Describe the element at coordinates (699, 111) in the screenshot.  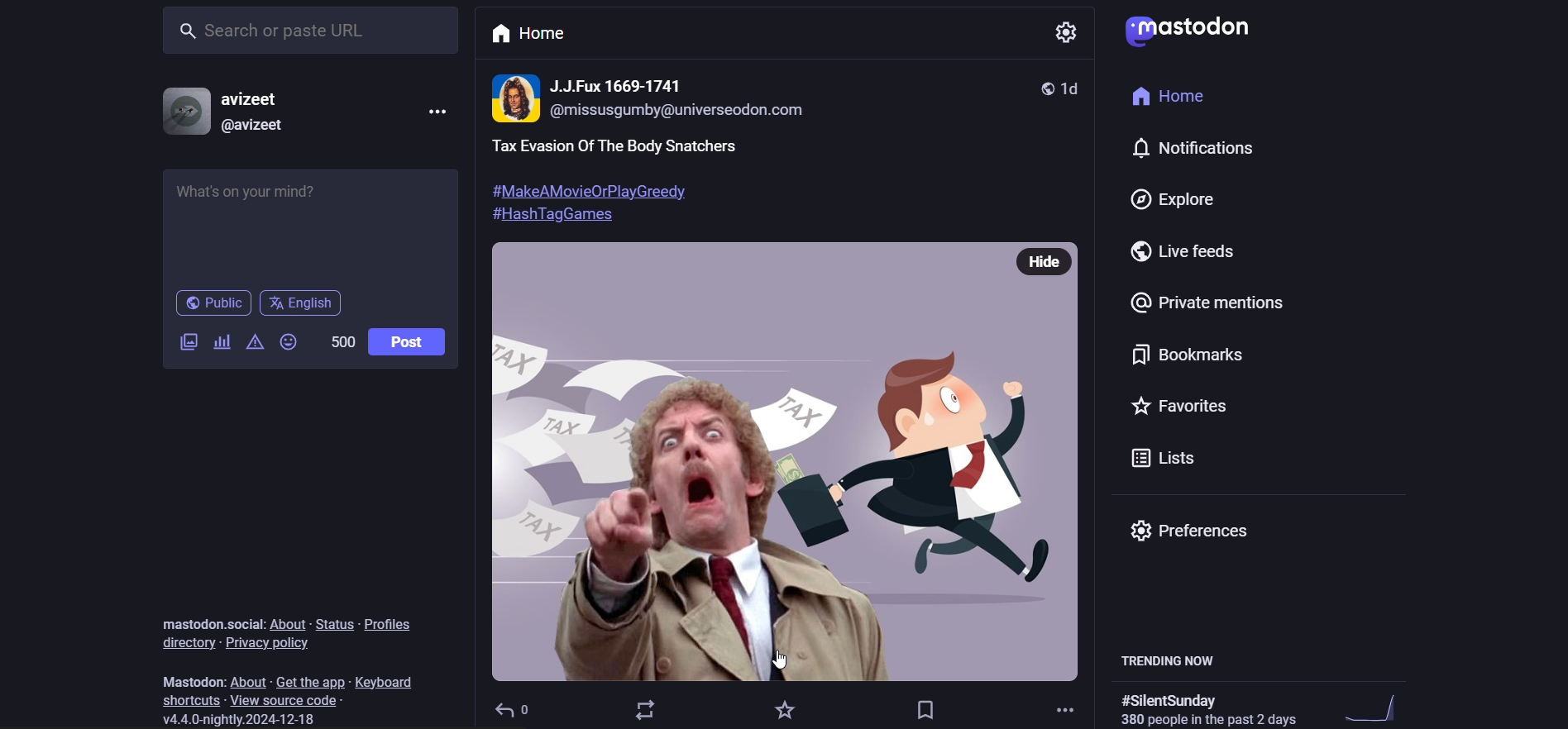
I see `@missusgumby@universeodon.com` at that location.